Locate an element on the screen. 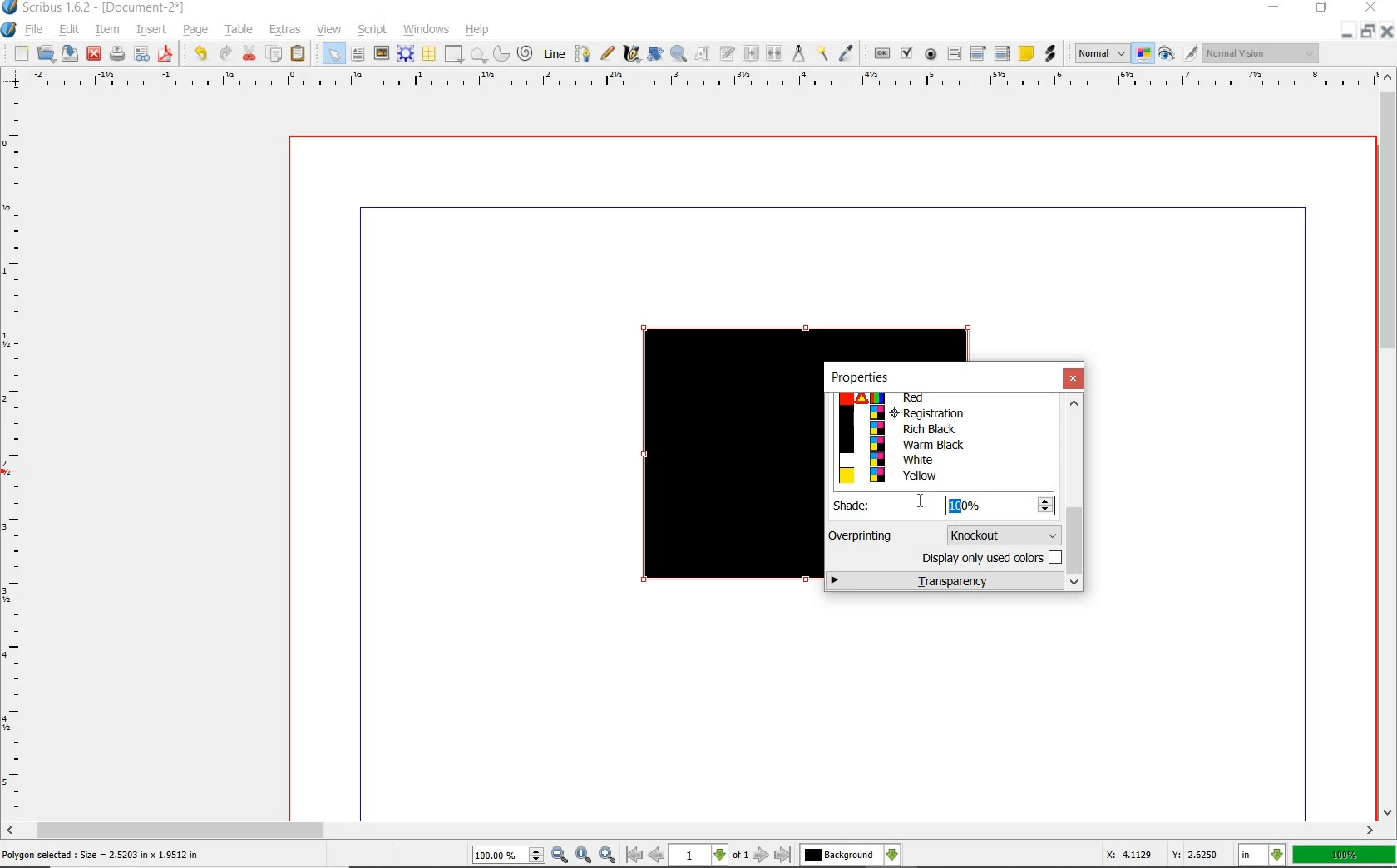 Image resolution: width=1397 pixels, height=868 pixels. measurement is located at coordinates (801, 55).